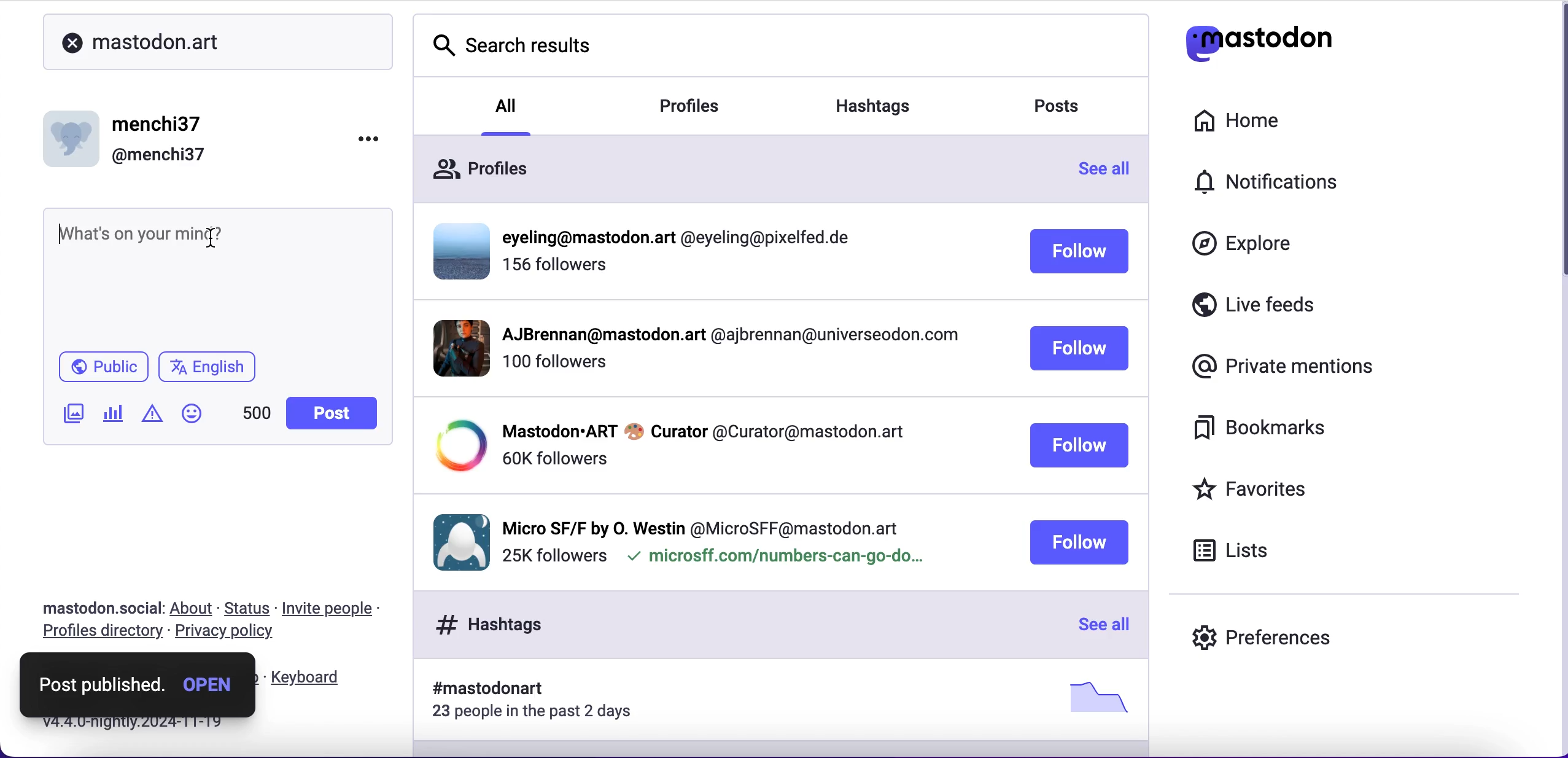 This screenshot has width=1568, height=758. Describe the element at coordinates (1241, 554) in the screenshot. I see `lists` at that location.